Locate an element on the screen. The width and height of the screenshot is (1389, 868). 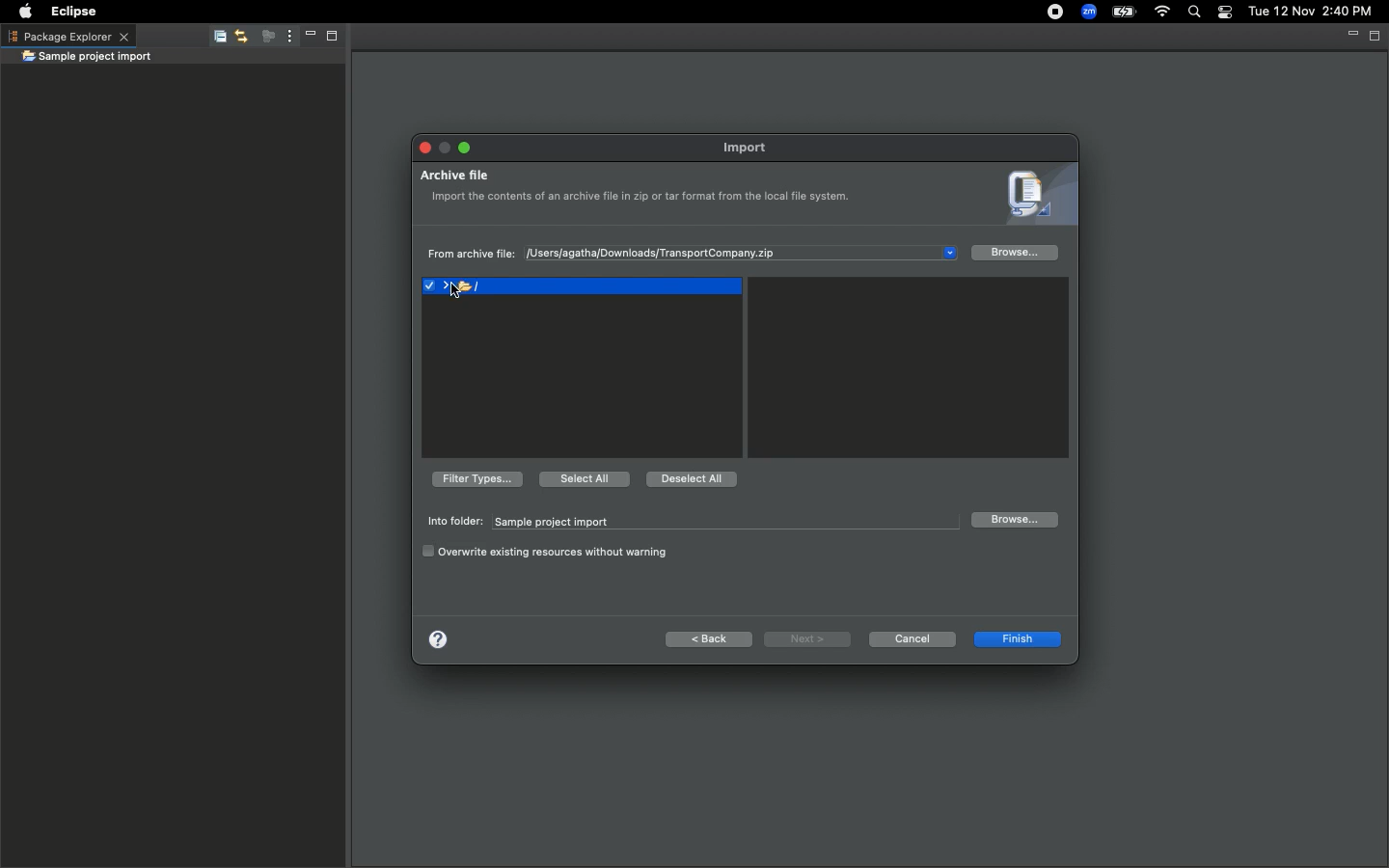
import is located at coordinates (750, 148).